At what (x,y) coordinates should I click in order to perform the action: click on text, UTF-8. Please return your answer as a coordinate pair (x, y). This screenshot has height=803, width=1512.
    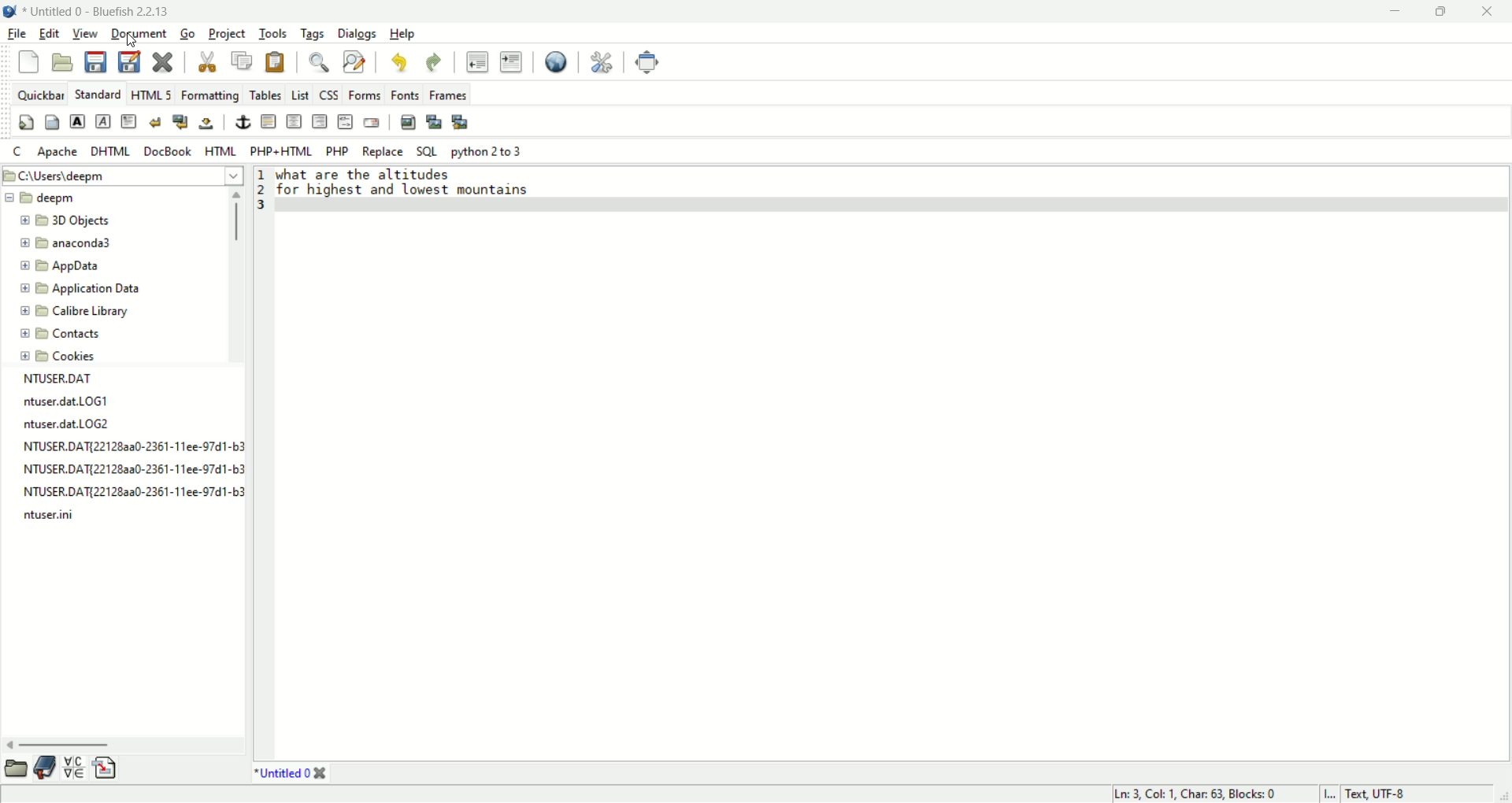
    Looking at the image, I should click on (1386, 794).